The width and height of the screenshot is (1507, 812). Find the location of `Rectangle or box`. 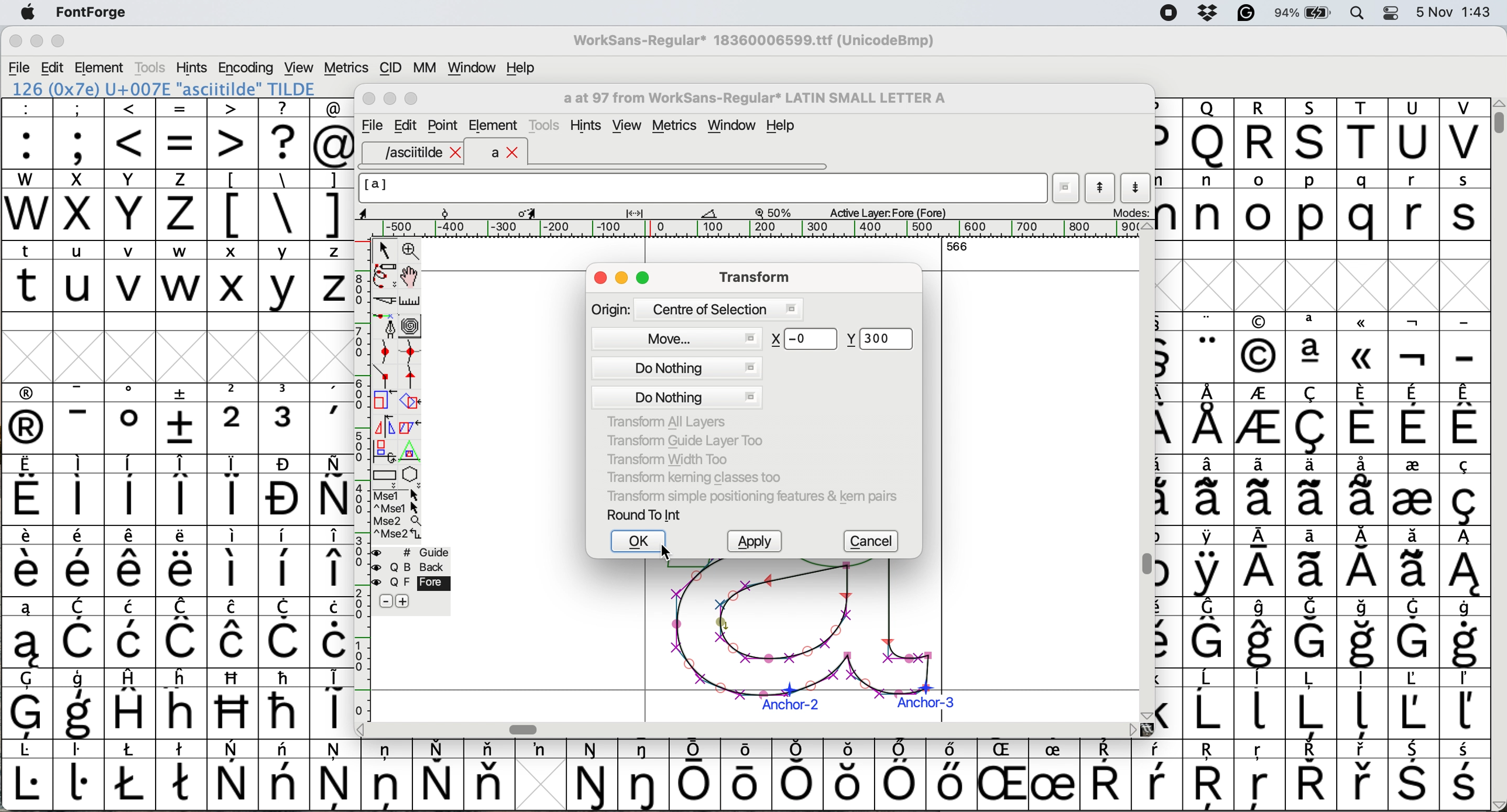

Rectangle or box is located at coordinates (384, 475).